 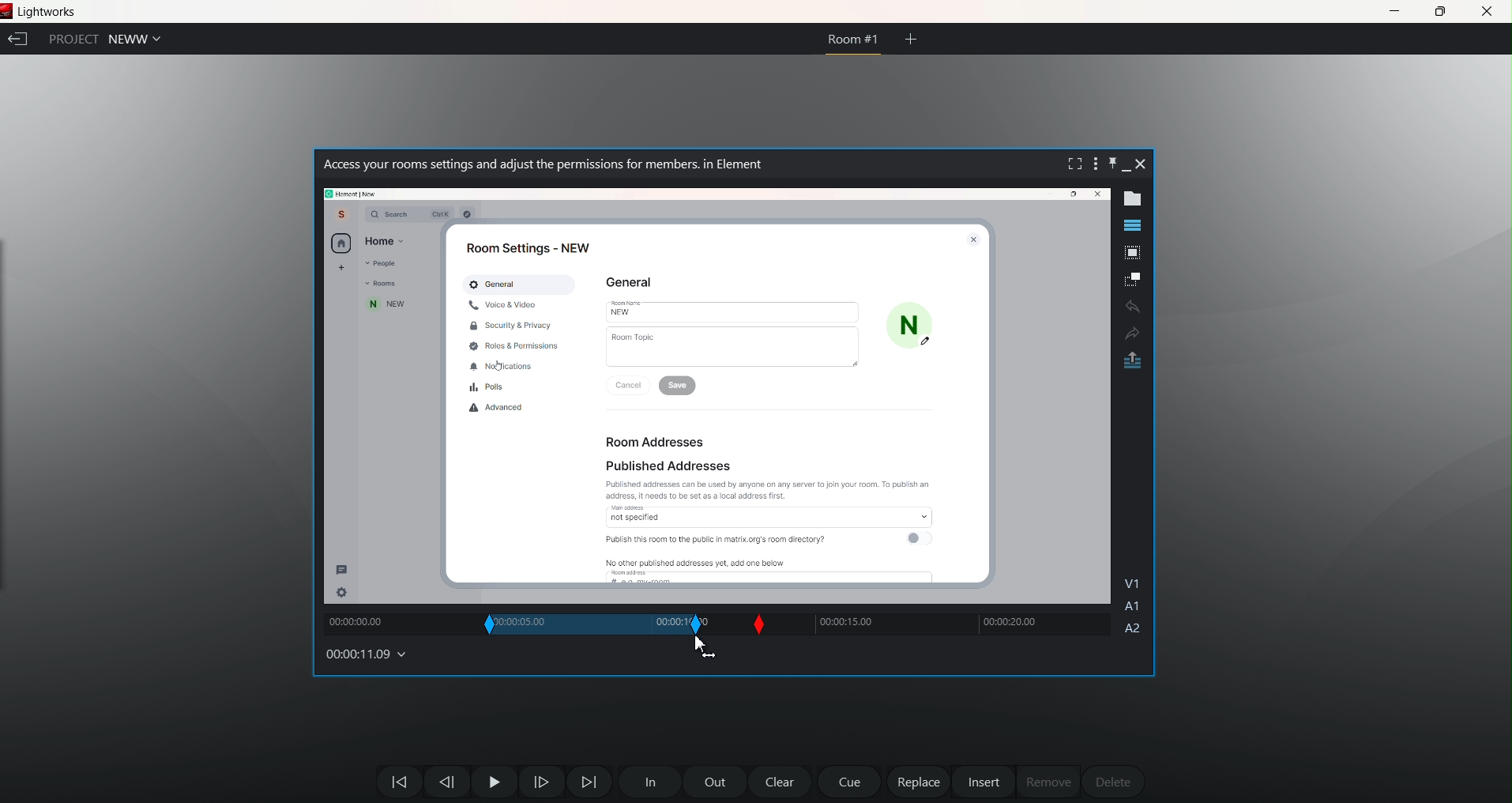 I want to click on Room Topic
|, so click(x=733, y=347).